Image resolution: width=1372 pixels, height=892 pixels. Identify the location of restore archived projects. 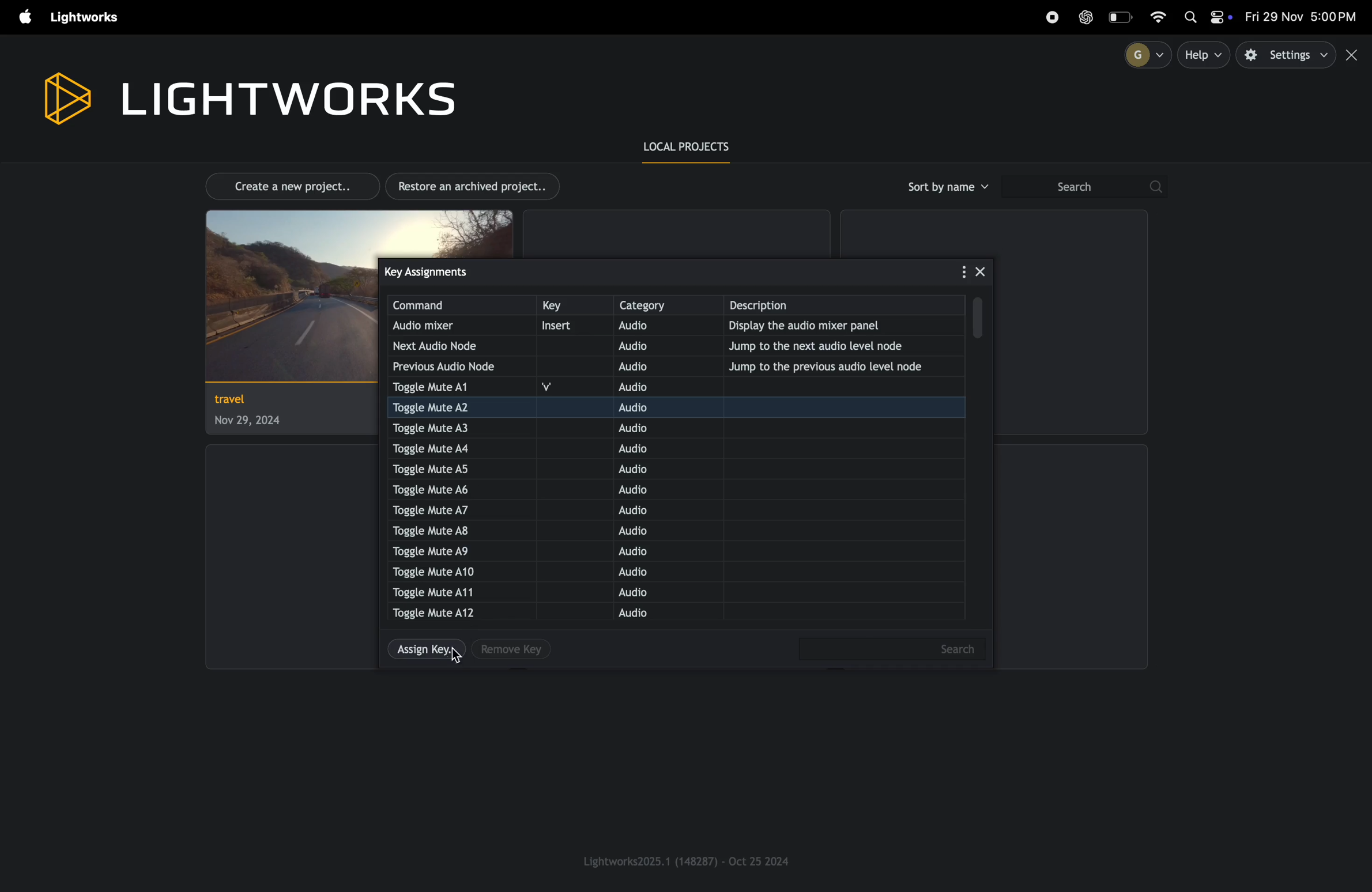
(477, 186).